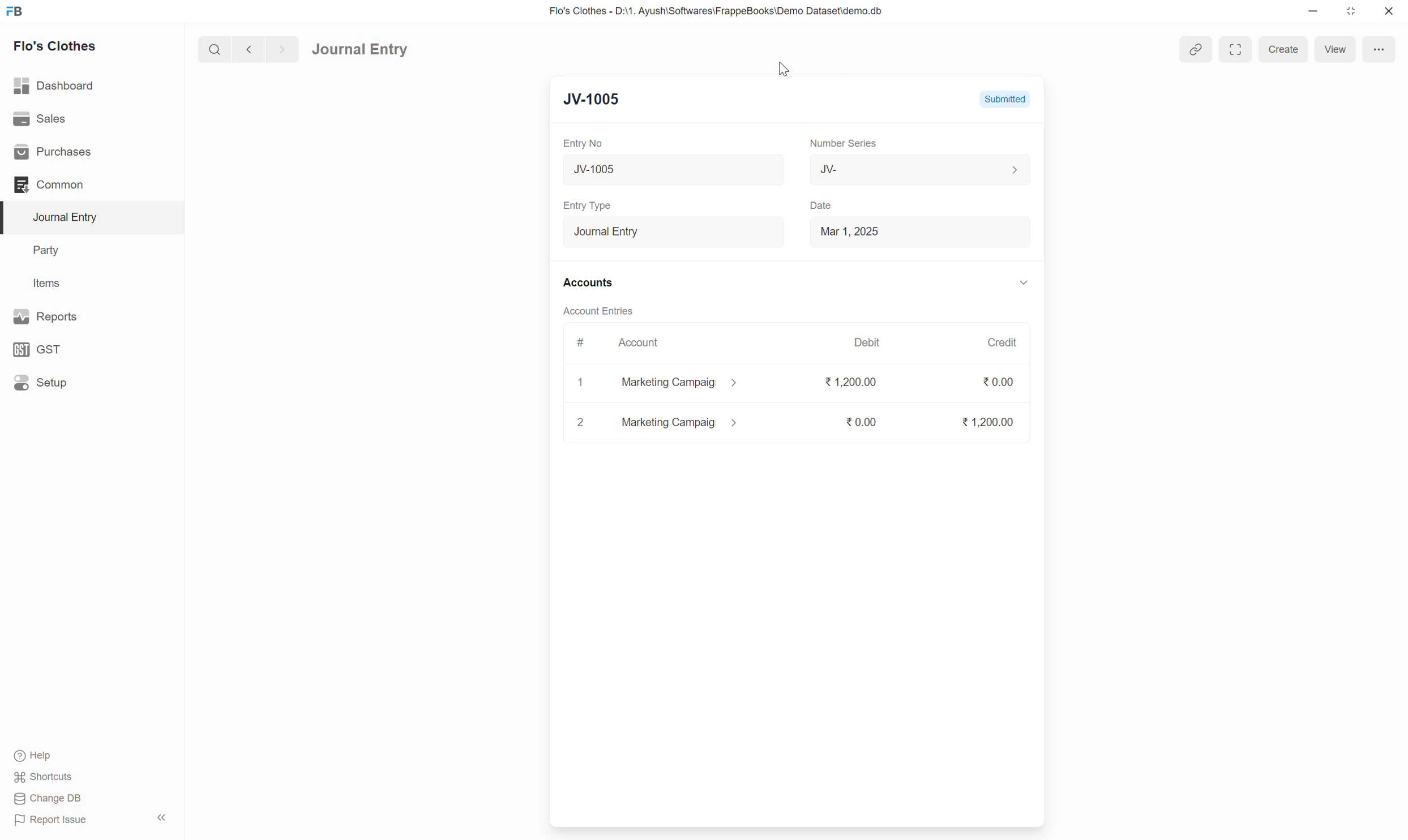  What do you see at coordinates (48, 777) in the screenshot?
I see `Shortcuts` at bounding box center [48, 777].